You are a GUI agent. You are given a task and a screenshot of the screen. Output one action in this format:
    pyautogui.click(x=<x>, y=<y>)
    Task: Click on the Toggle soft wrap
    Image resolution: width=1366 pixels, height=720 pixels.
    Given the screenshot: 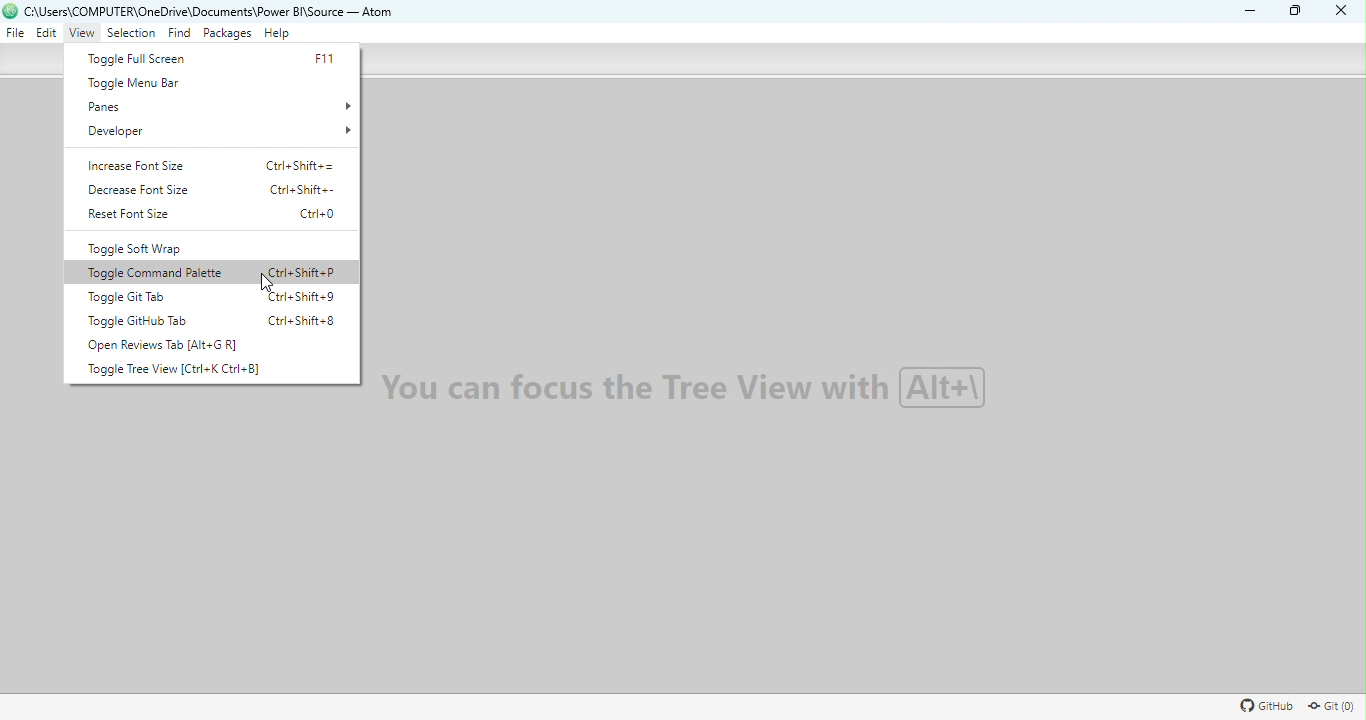 What is the action you would take?
    pyautogui.click(x=205, y=248)
    